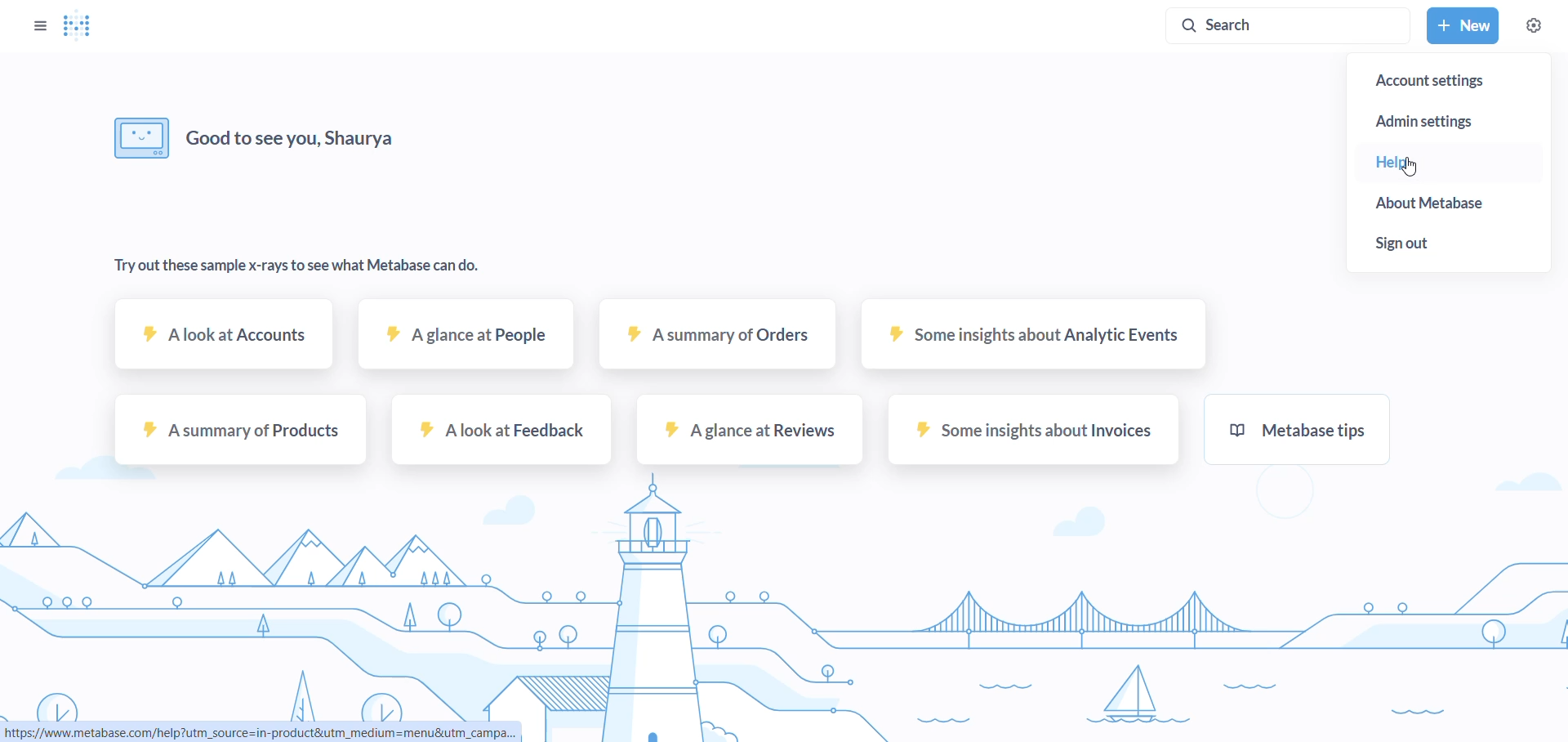  What do you see at coordinates (225, 341) in the screenshot?
I see `A look at accounts sample` at bounding box center [225, 341].